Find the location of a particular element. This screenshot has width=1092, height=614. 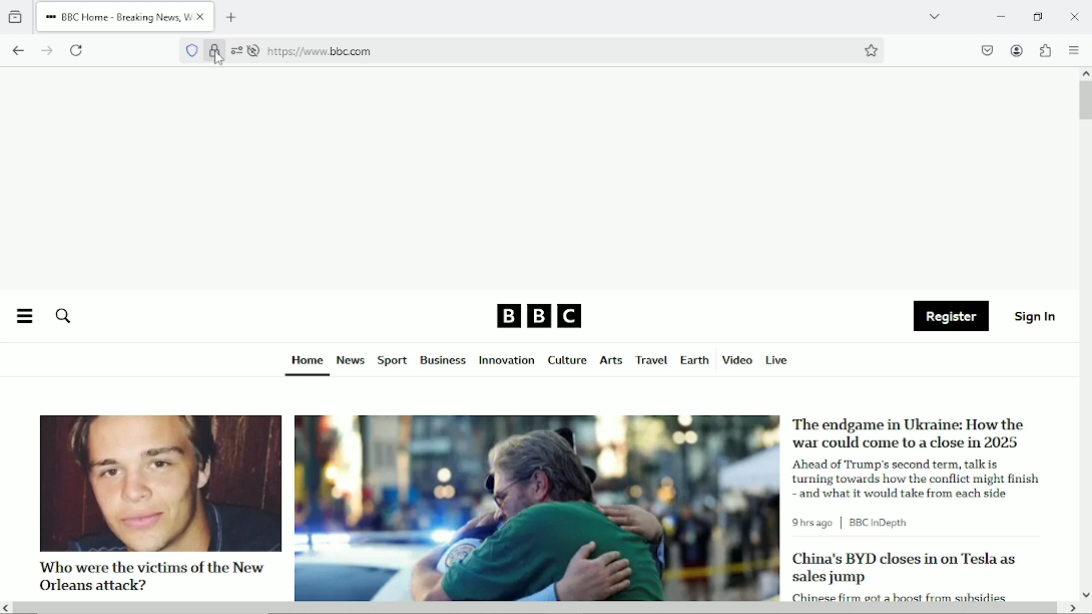

go forward is located at coordinates (46, 50).